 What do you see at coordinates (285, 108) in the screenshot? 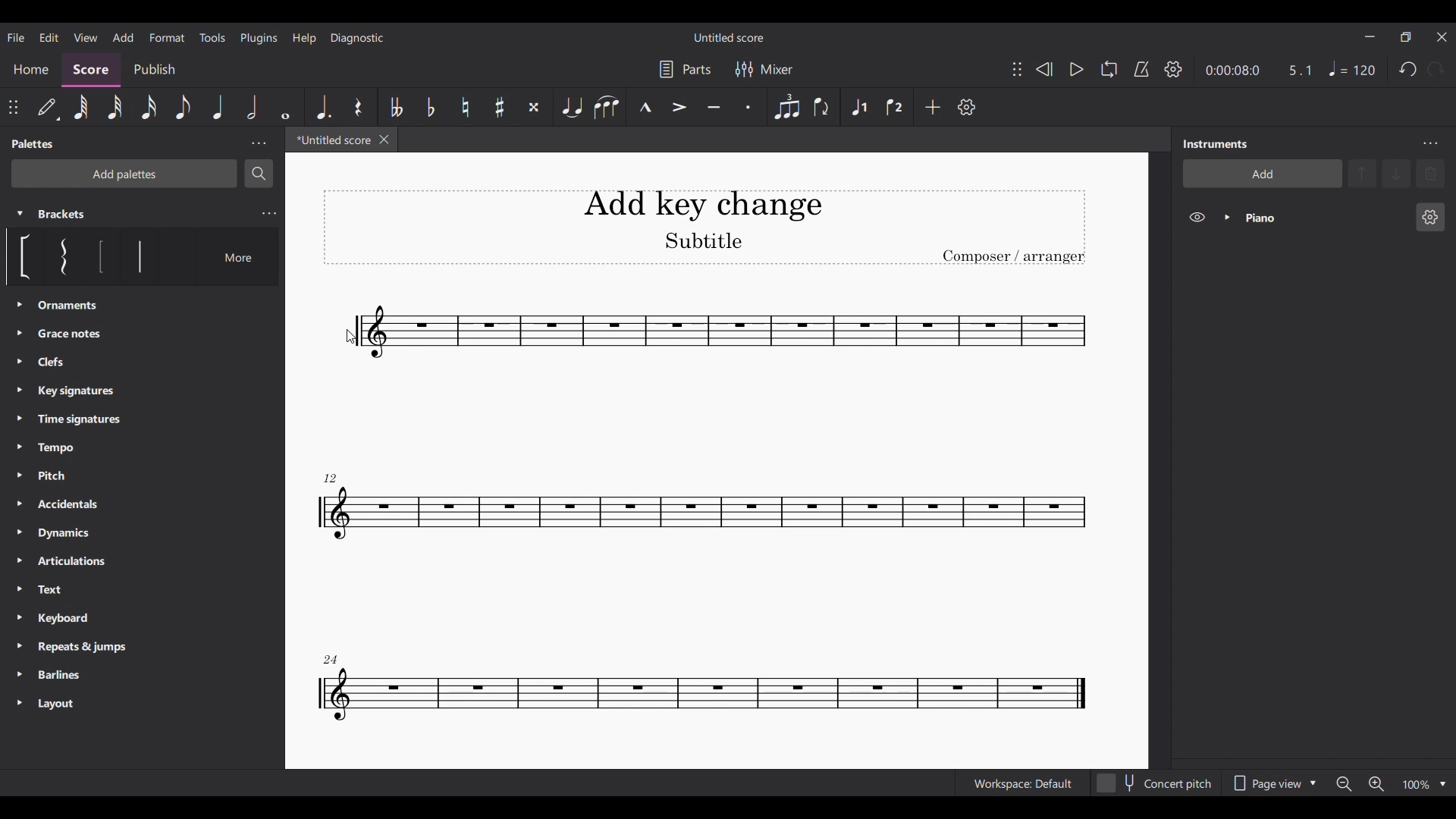
I see `Whole note` at bounding box center [285, 108].